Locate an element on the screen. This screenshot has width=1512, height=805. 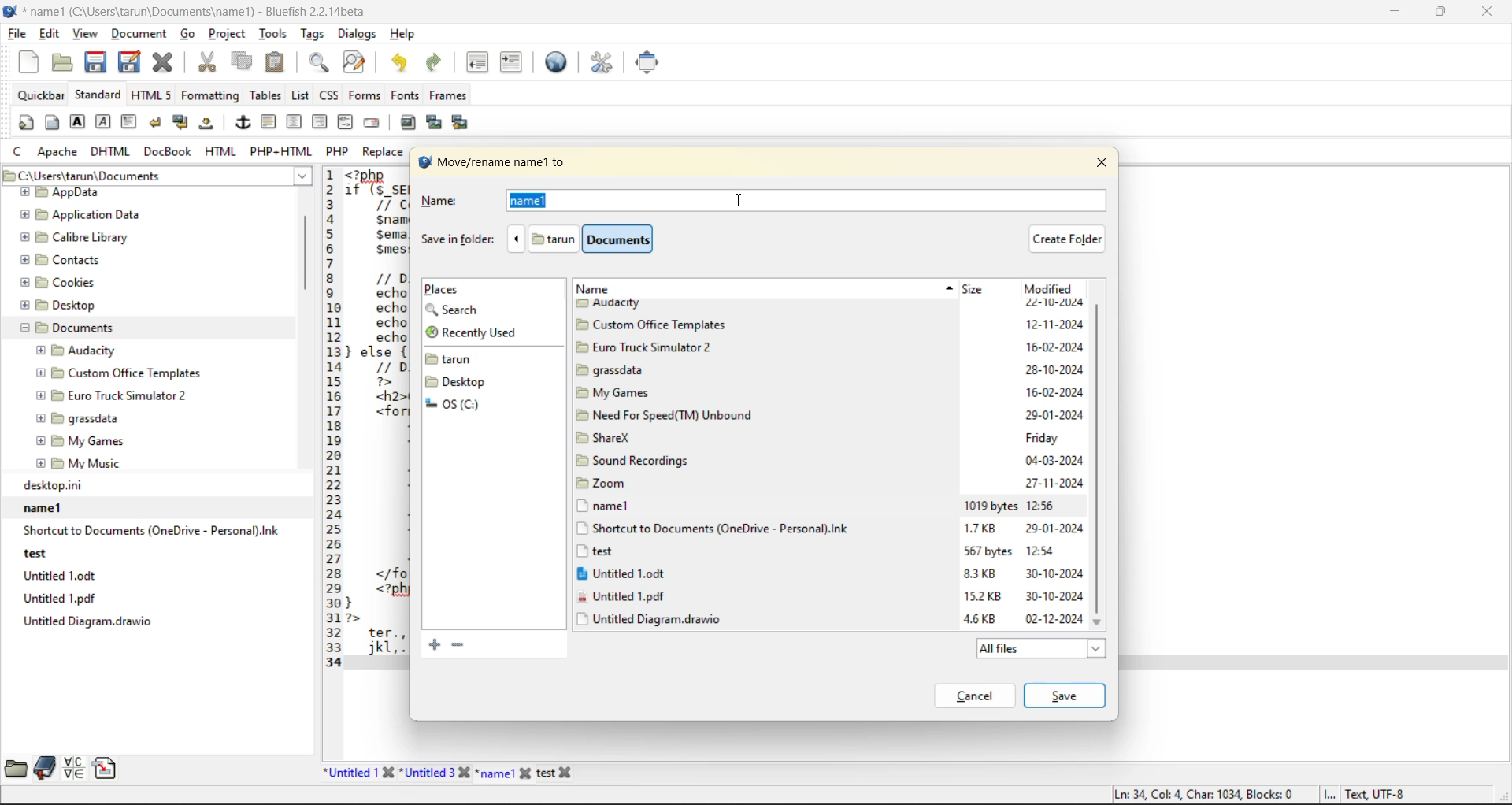
find and replace is located at coordinates (360, 62).